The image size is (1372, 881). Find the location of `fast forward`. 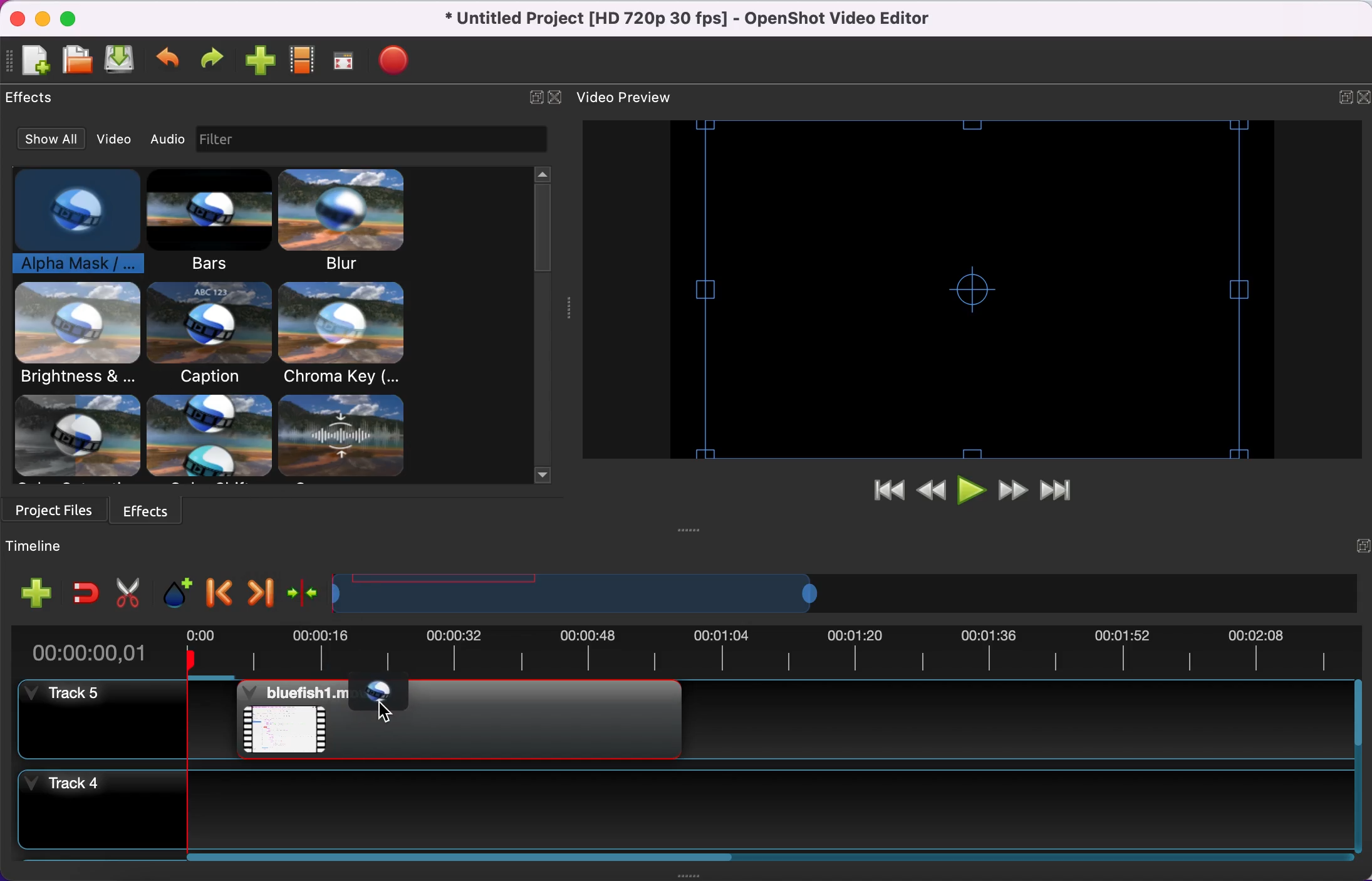

fast forward is located at coordinates (1014, 489).